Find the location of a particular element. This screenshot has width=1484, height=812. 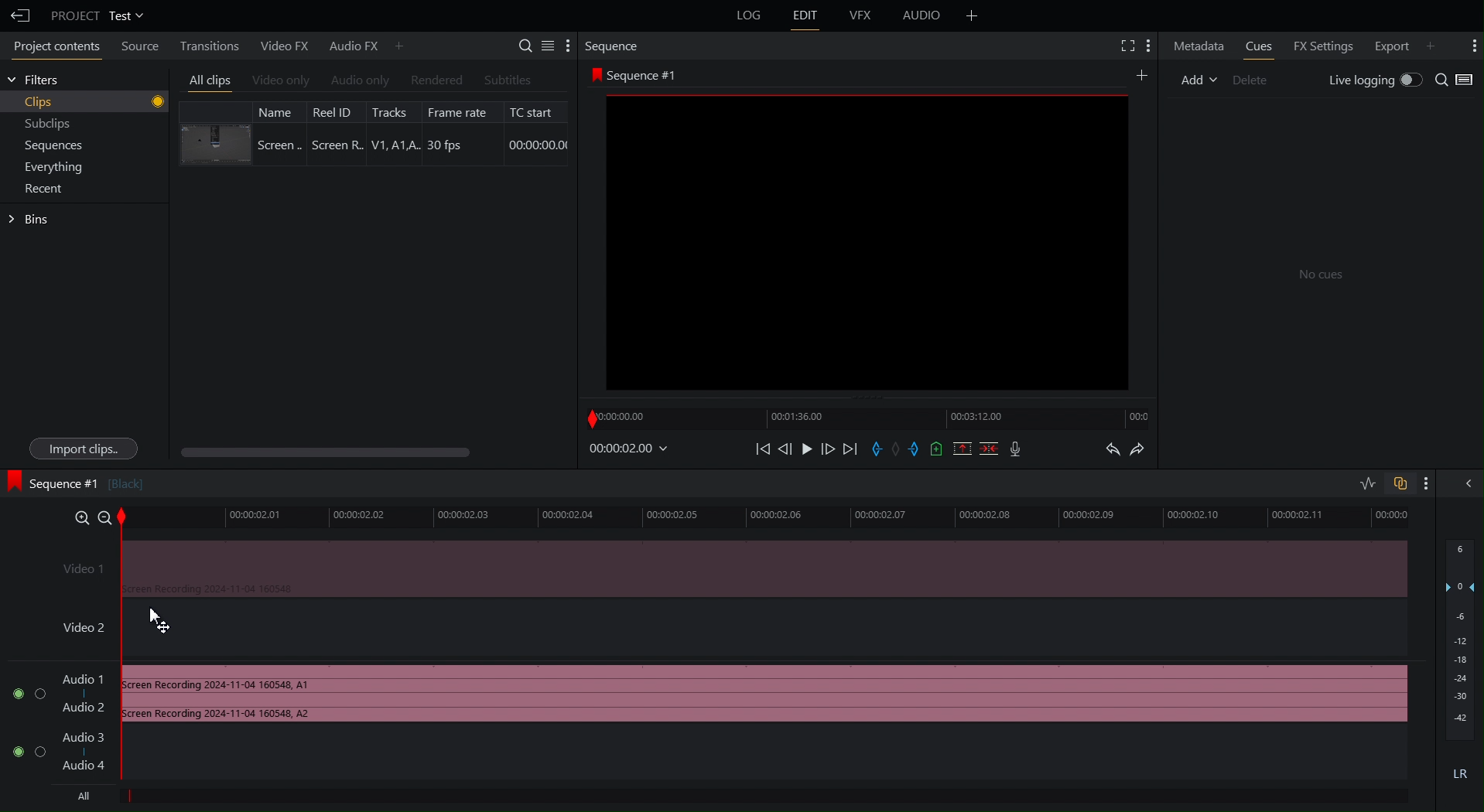

Filters is located at coordinates (39, 82).